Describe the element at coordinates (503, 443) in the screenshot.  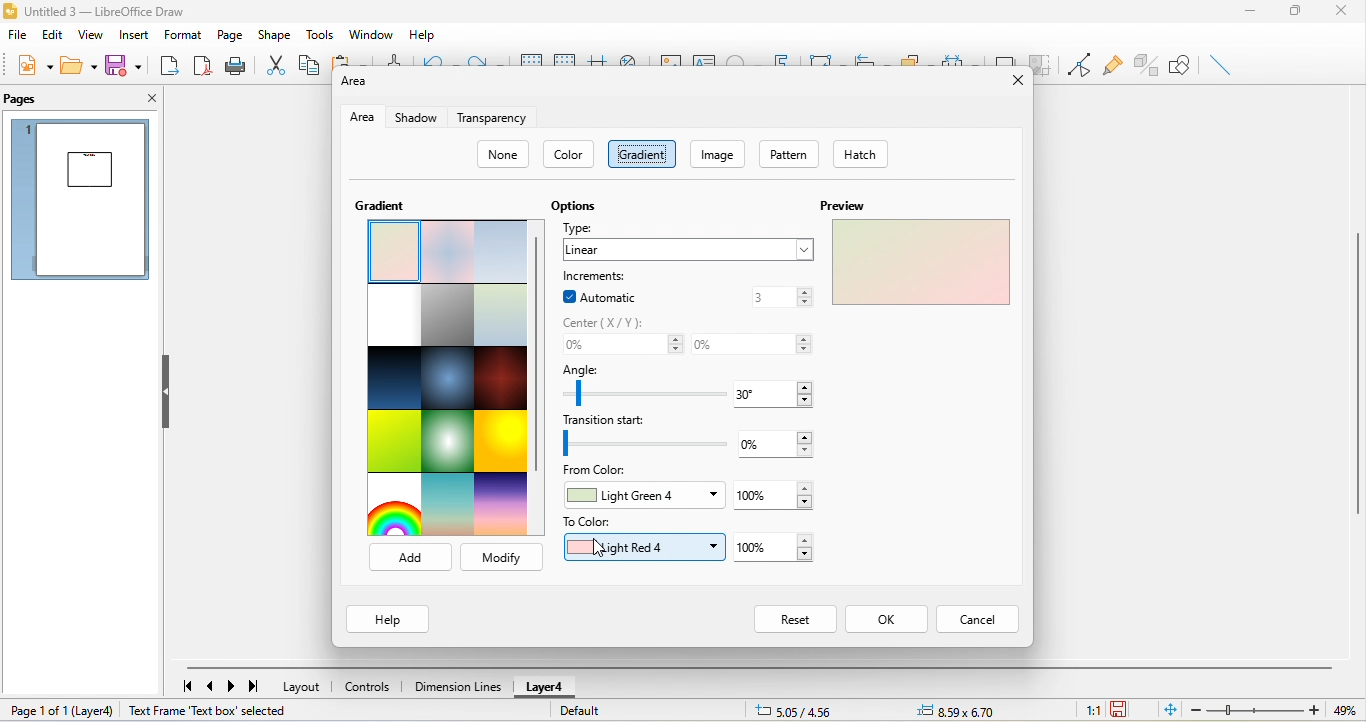
I see `sunshine` at that location.